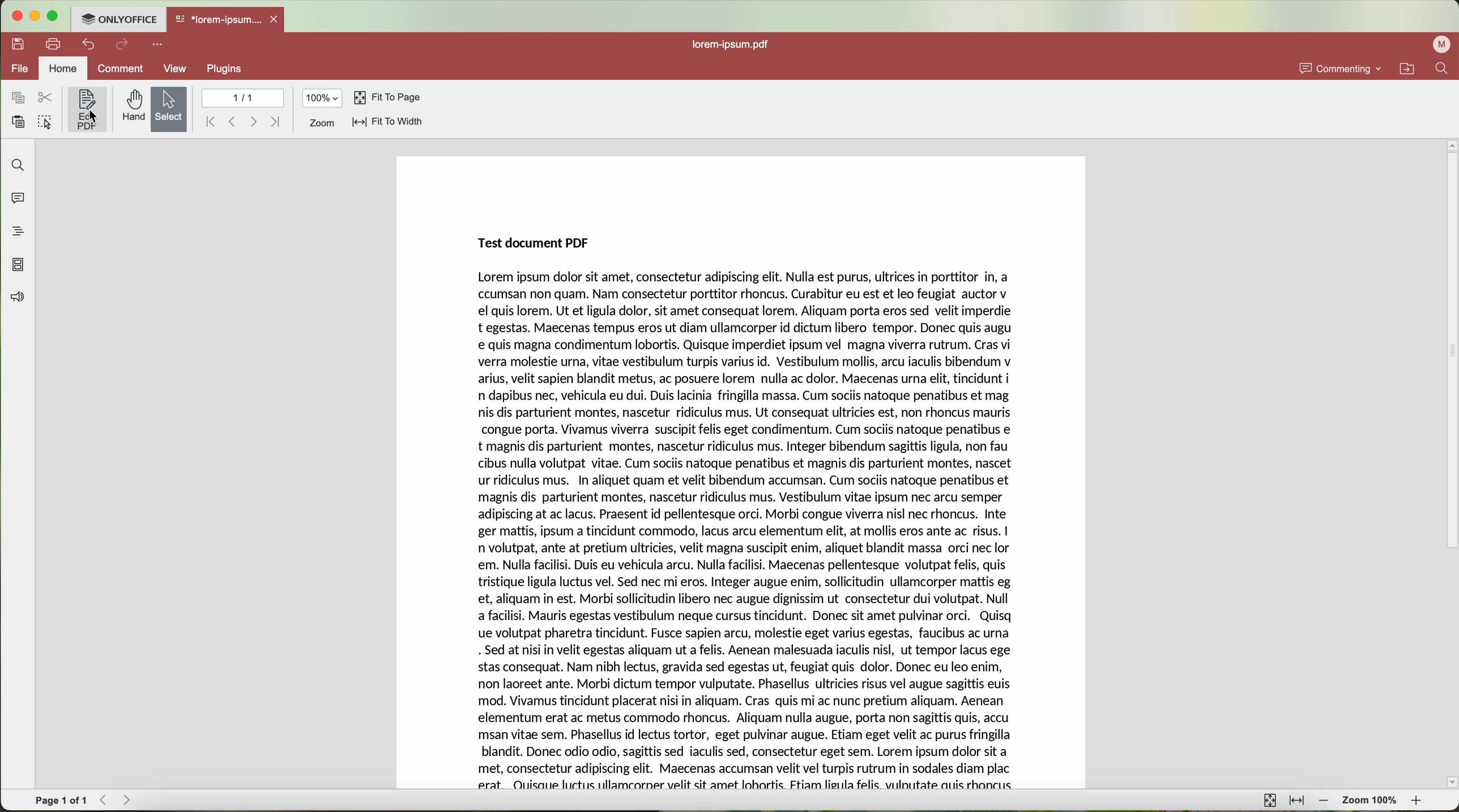 The image size is (1459, 812). Describe the element at coordinates (323, 98) in the screenshot. I see `100%` at that location.